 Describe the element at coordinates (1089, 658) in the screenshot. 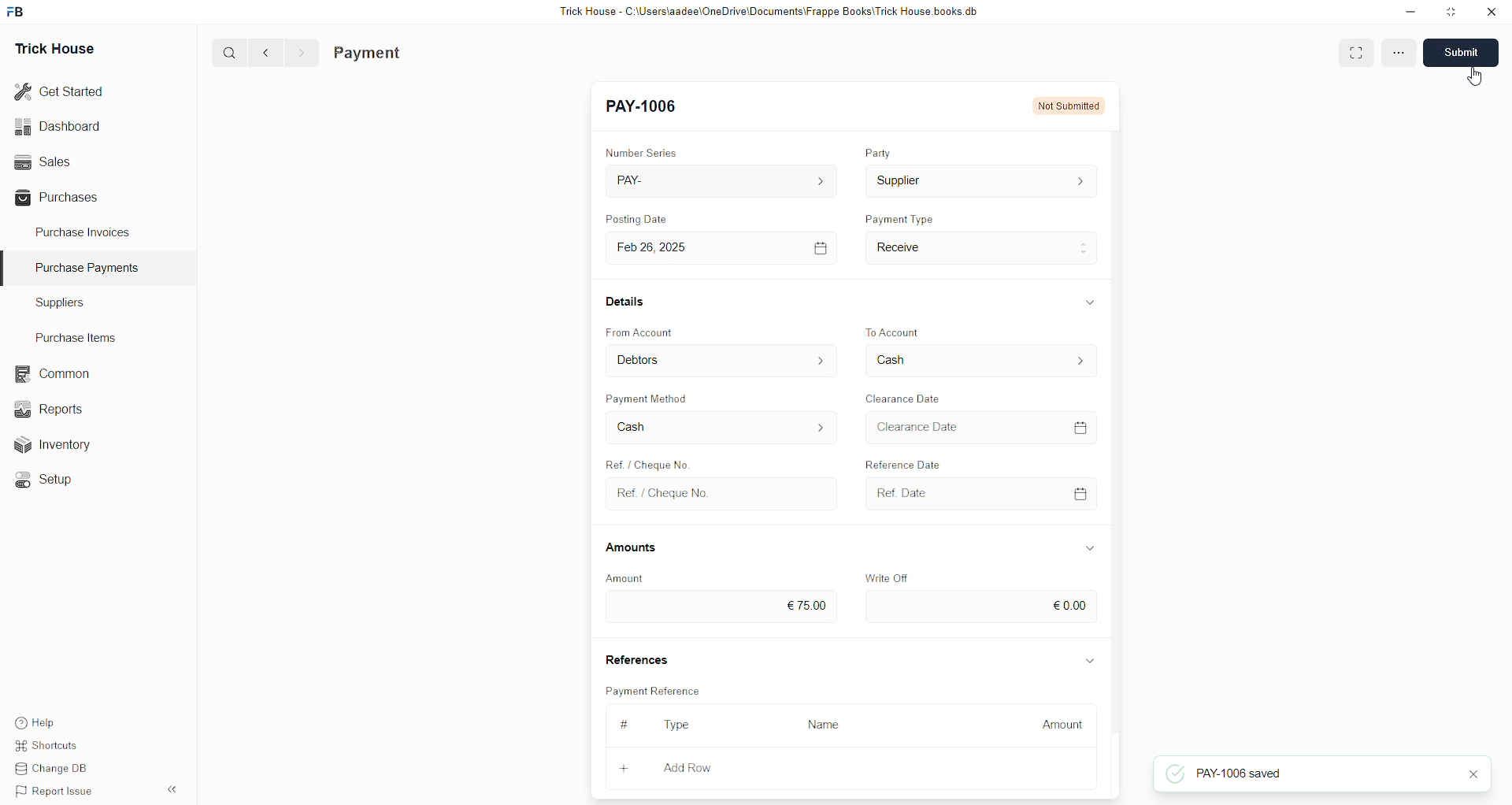

I see `expand` at that location.